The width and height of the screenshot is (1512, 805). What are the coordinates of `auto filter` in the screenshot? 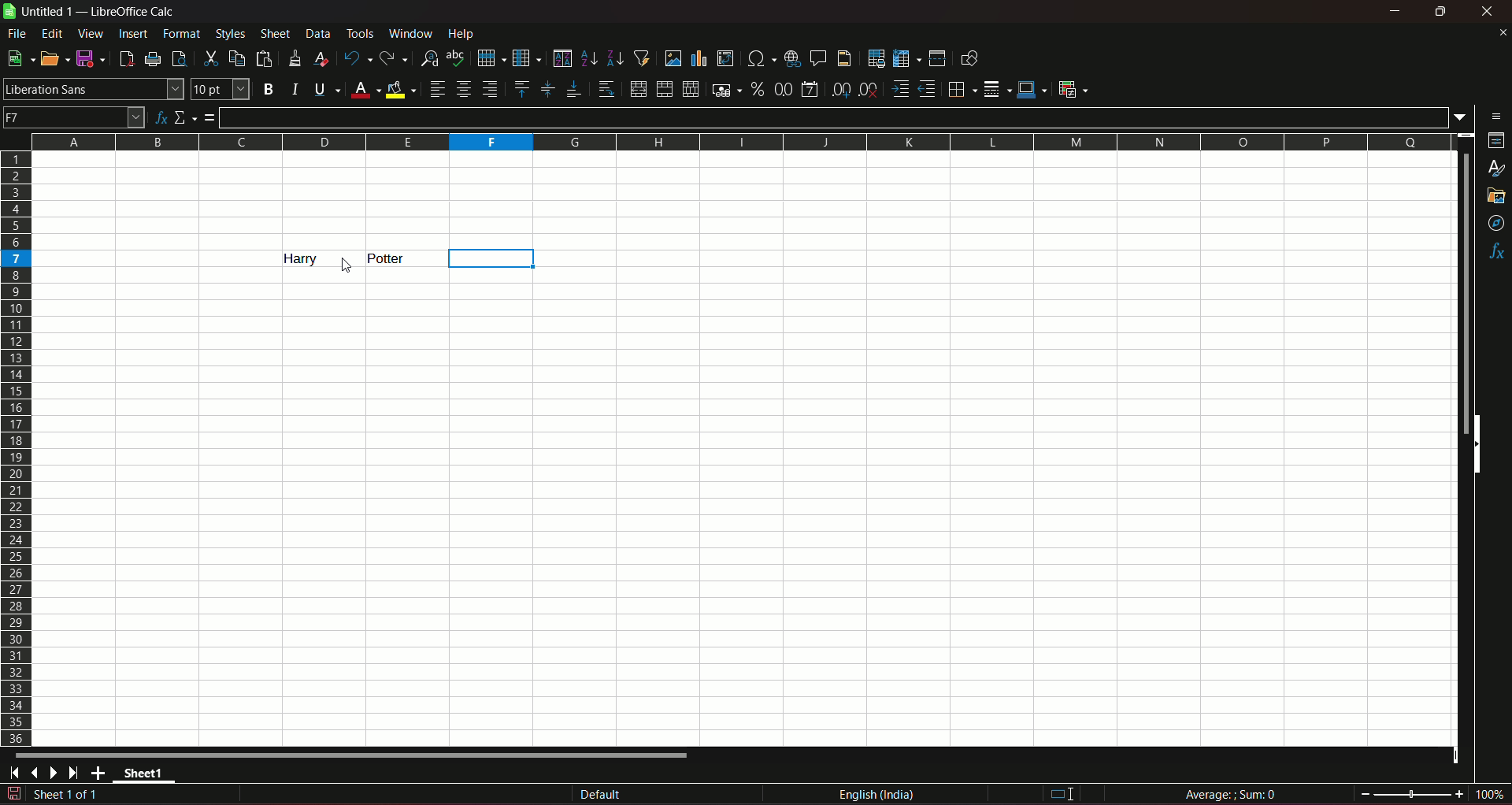 It's located at (642, 57).